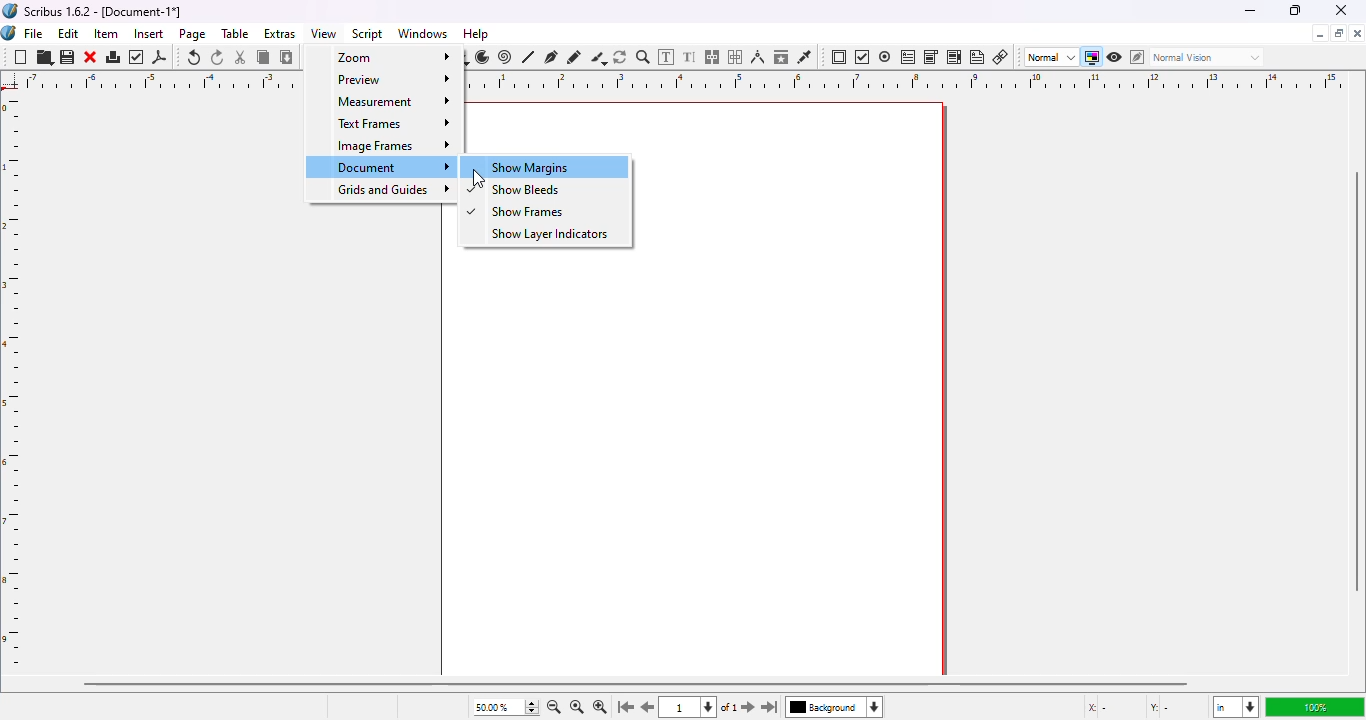  I want to click on PDF list box, so click(954, 57).